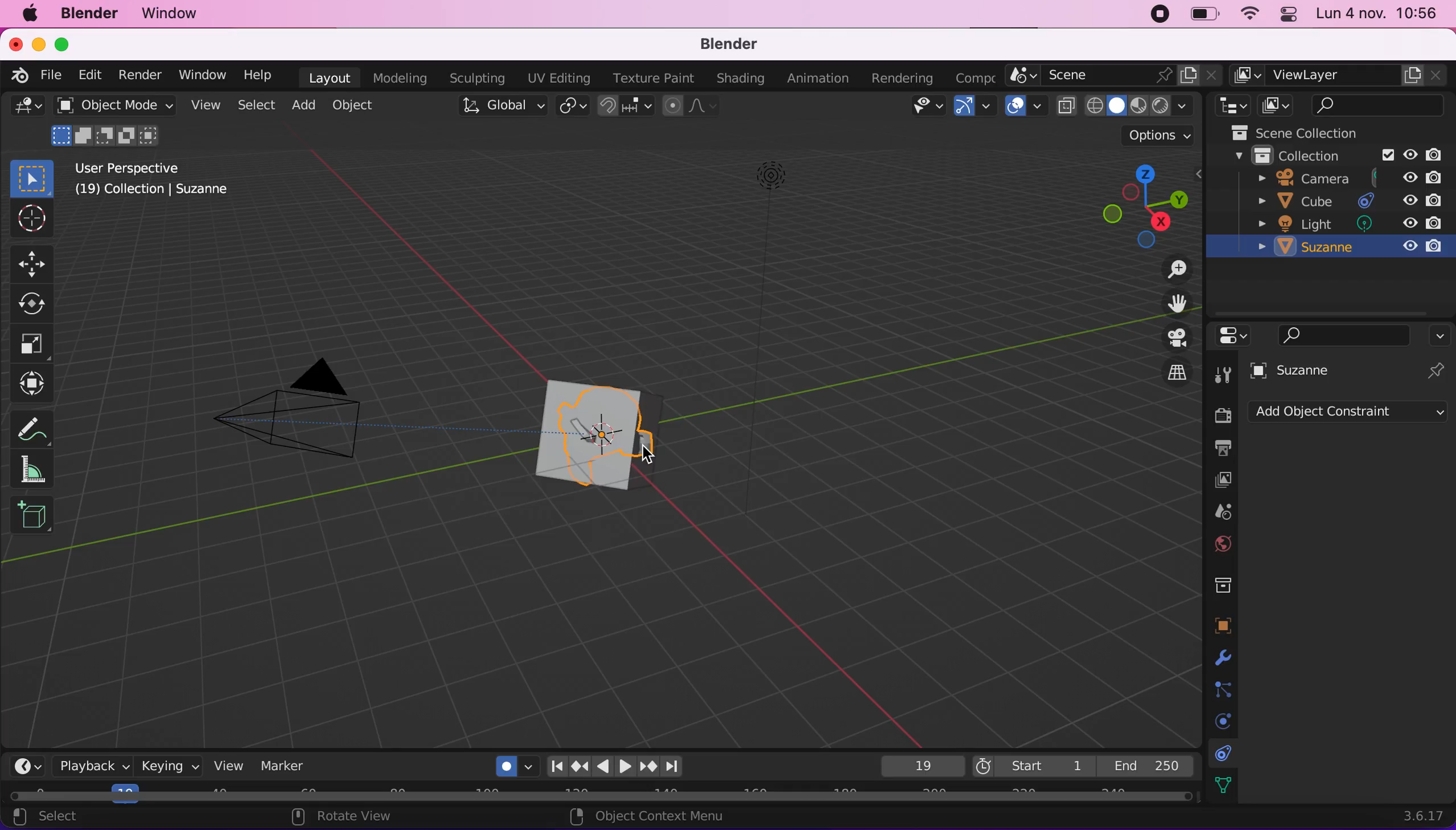 This screenshot has width=1456, height=830. What do you see at coordinates (109, 136) in the screenshot?
I see `Mode` at bounding box center [109, 136].